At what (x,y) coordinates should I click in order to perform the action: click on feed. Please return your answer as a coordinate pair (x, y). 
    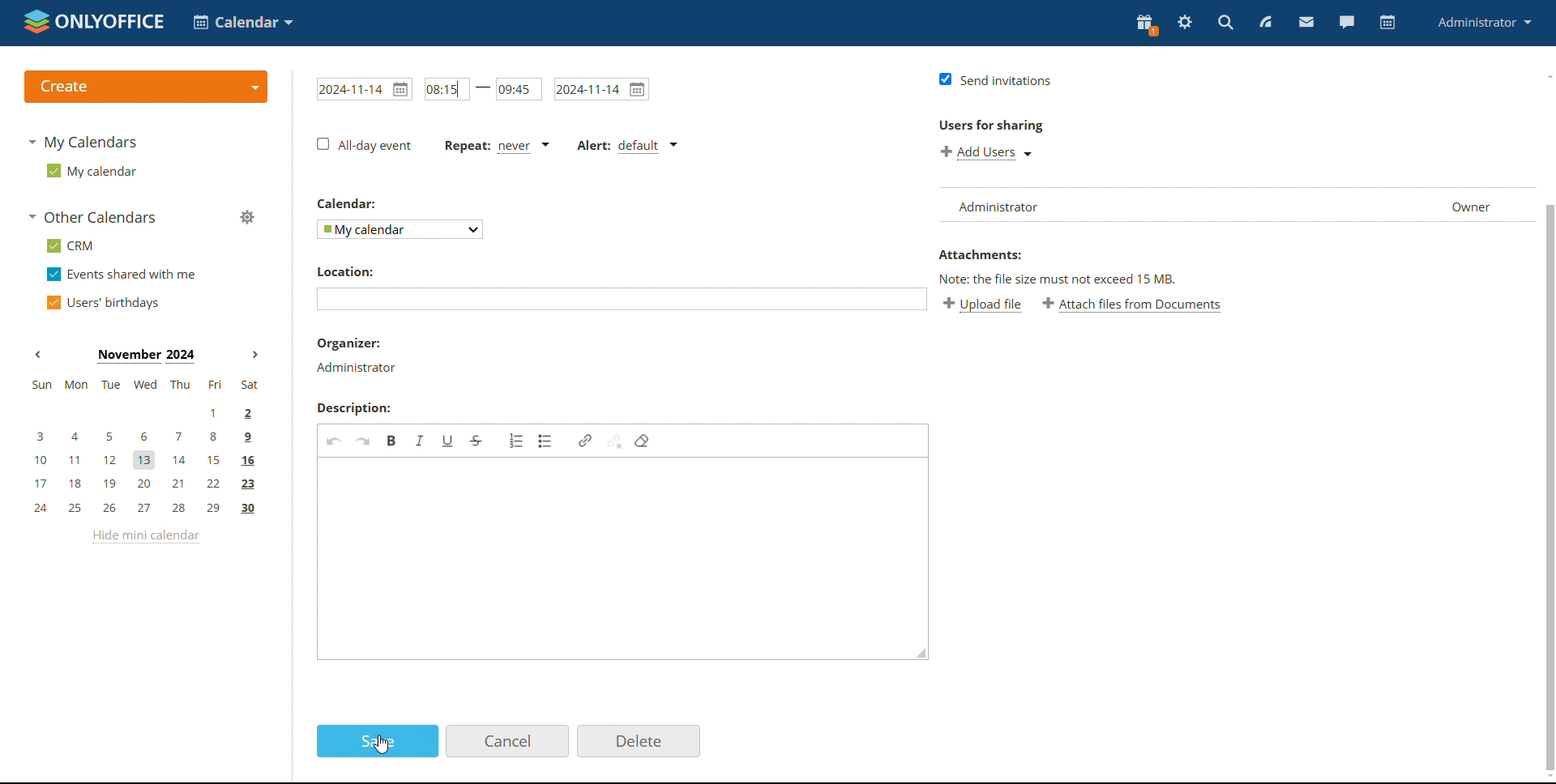
    Looking at the image, I should click on (1266, 23).